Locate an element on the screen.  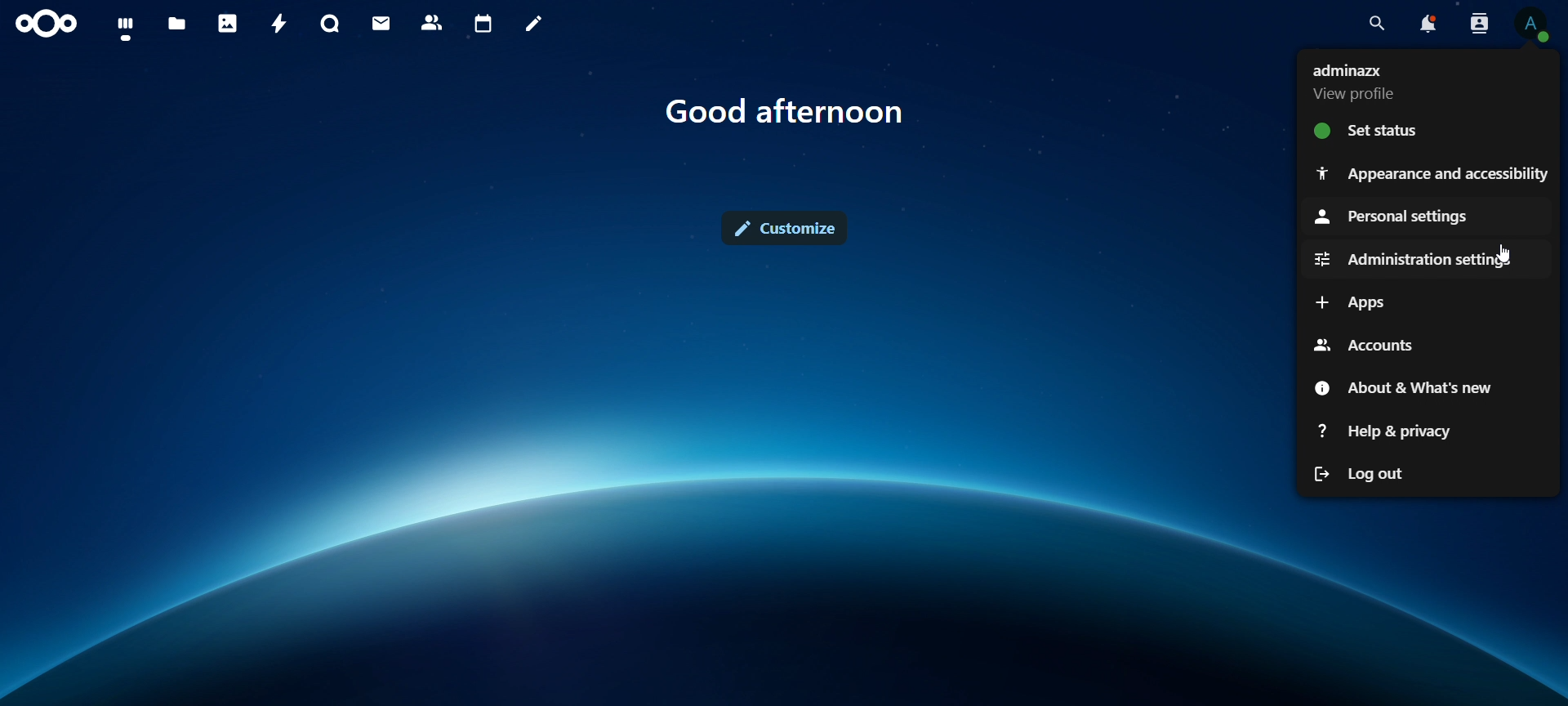
photos is located at coordinates (227, 22).